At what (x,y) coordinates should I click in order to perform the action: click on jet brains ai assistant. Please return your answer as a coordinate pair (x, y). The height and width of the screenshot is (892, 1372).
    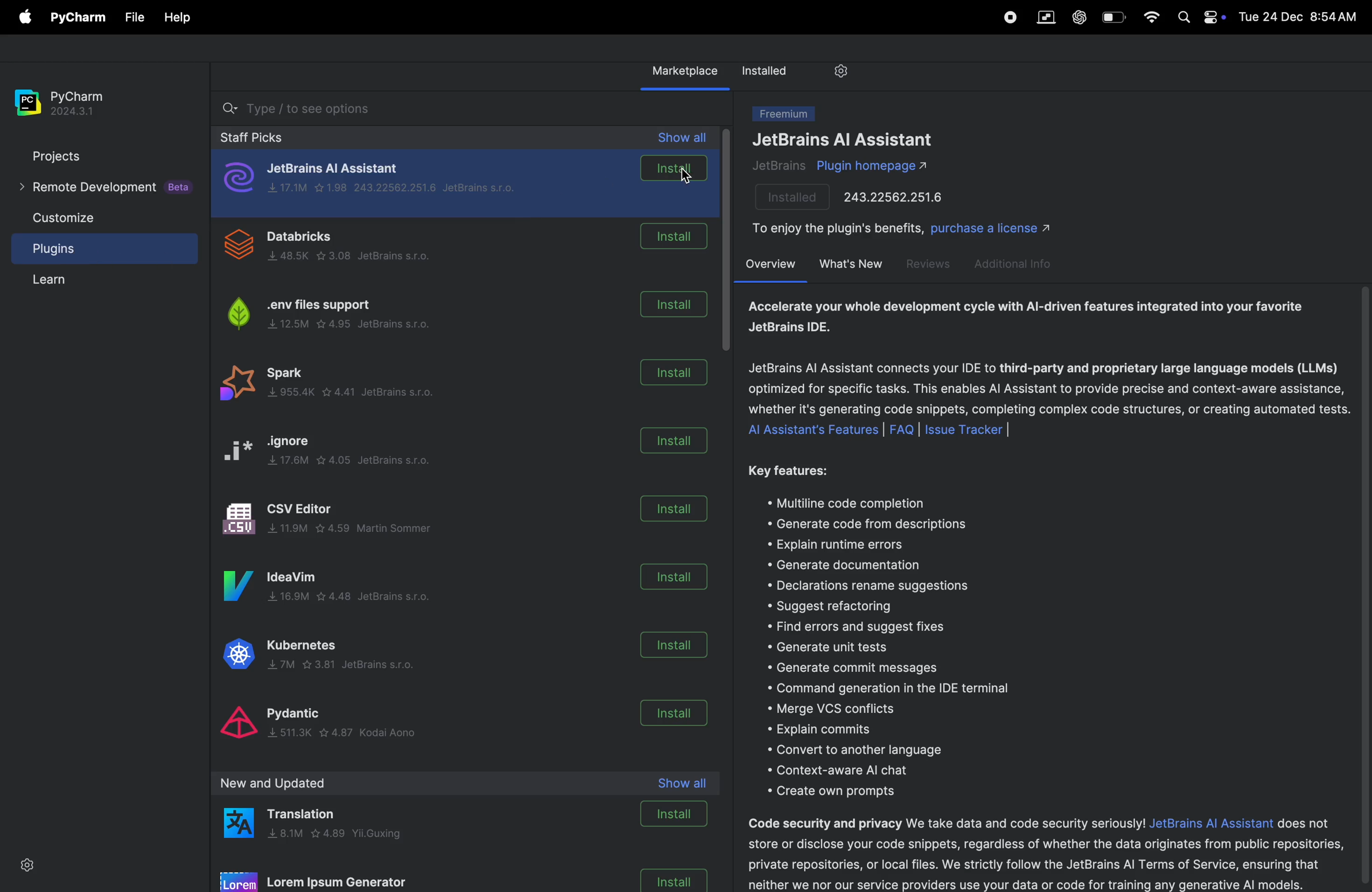
    Looking at the image, I should click on (411, 182).